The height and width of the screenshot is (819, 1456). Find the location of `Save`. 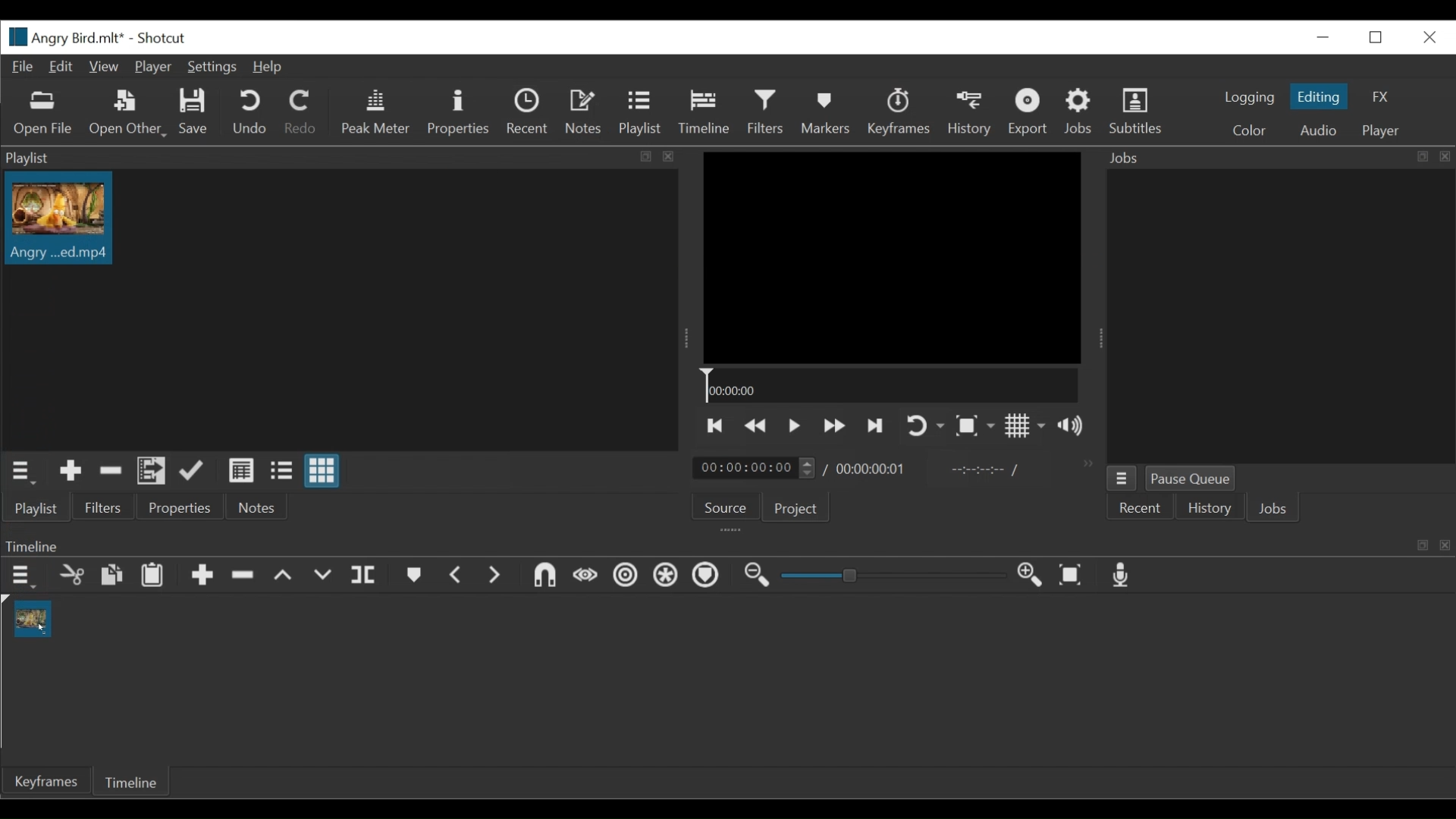

Save is located at coordinates (196, 111).